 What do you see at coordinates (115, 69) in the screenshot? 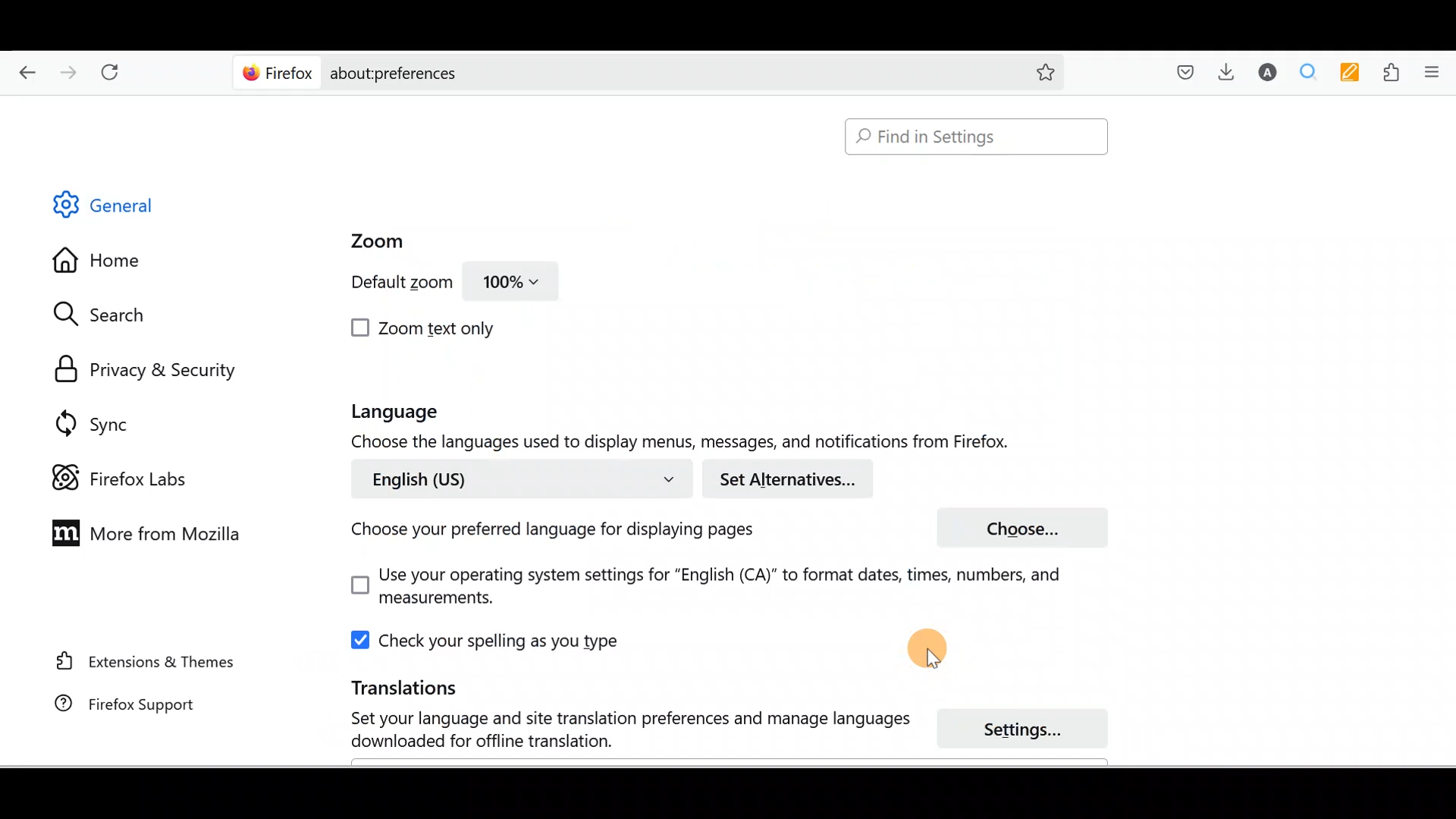
I see `Reload current page` at bounding box center [115, 69].